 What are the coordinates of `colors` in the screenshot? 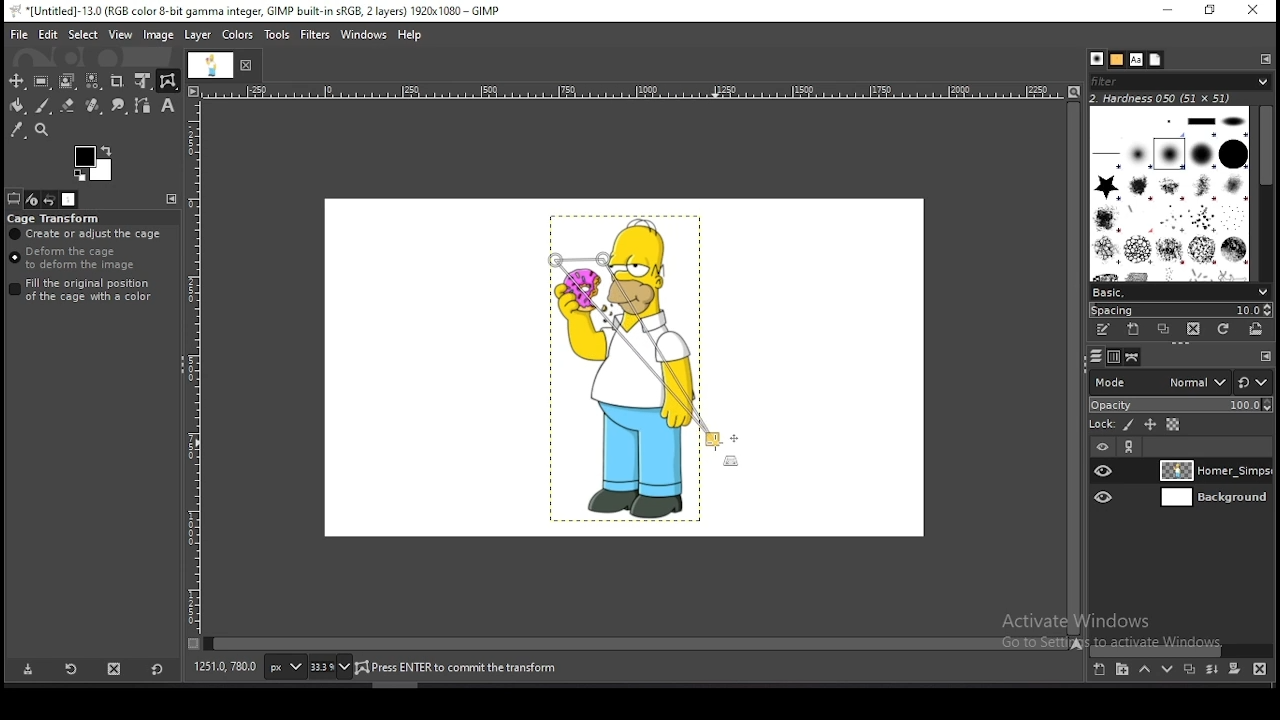 It's located at (94, 164).